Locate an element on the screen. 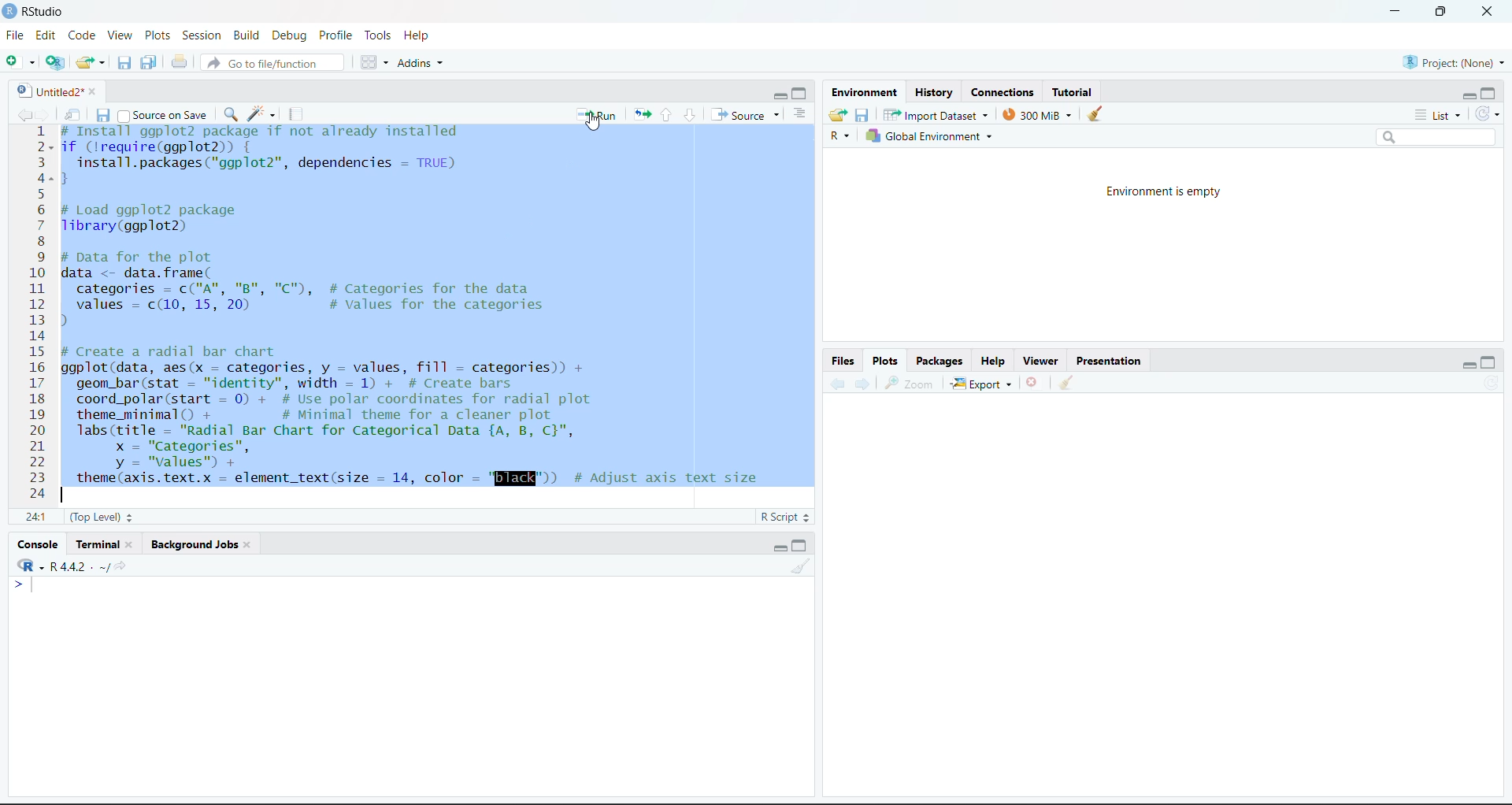 This screenshot has width=1512, height=805. R Script  is located at coordinates (779, 517).